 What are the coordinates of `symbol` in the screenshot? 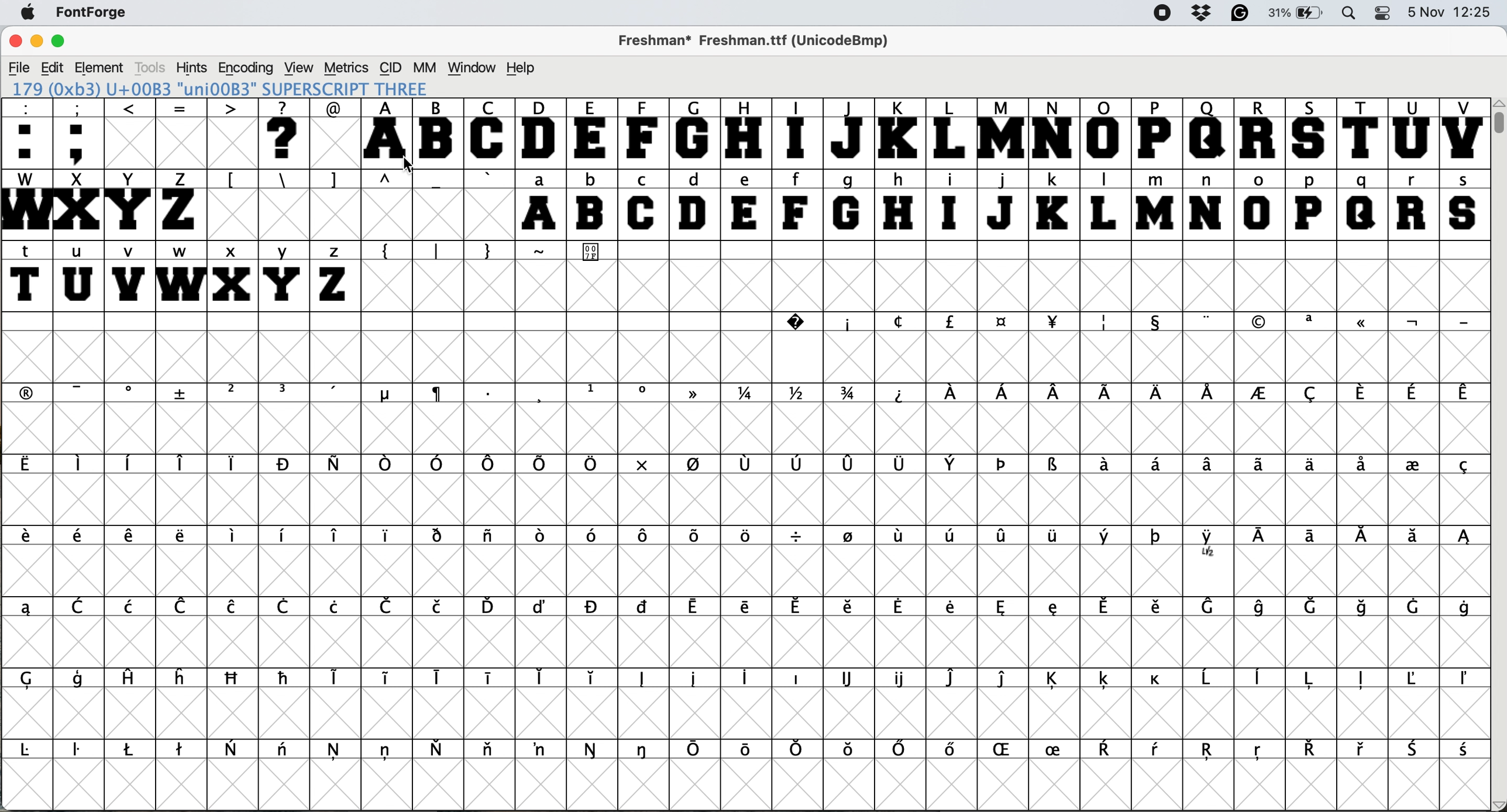 It's located at (1259, 394).